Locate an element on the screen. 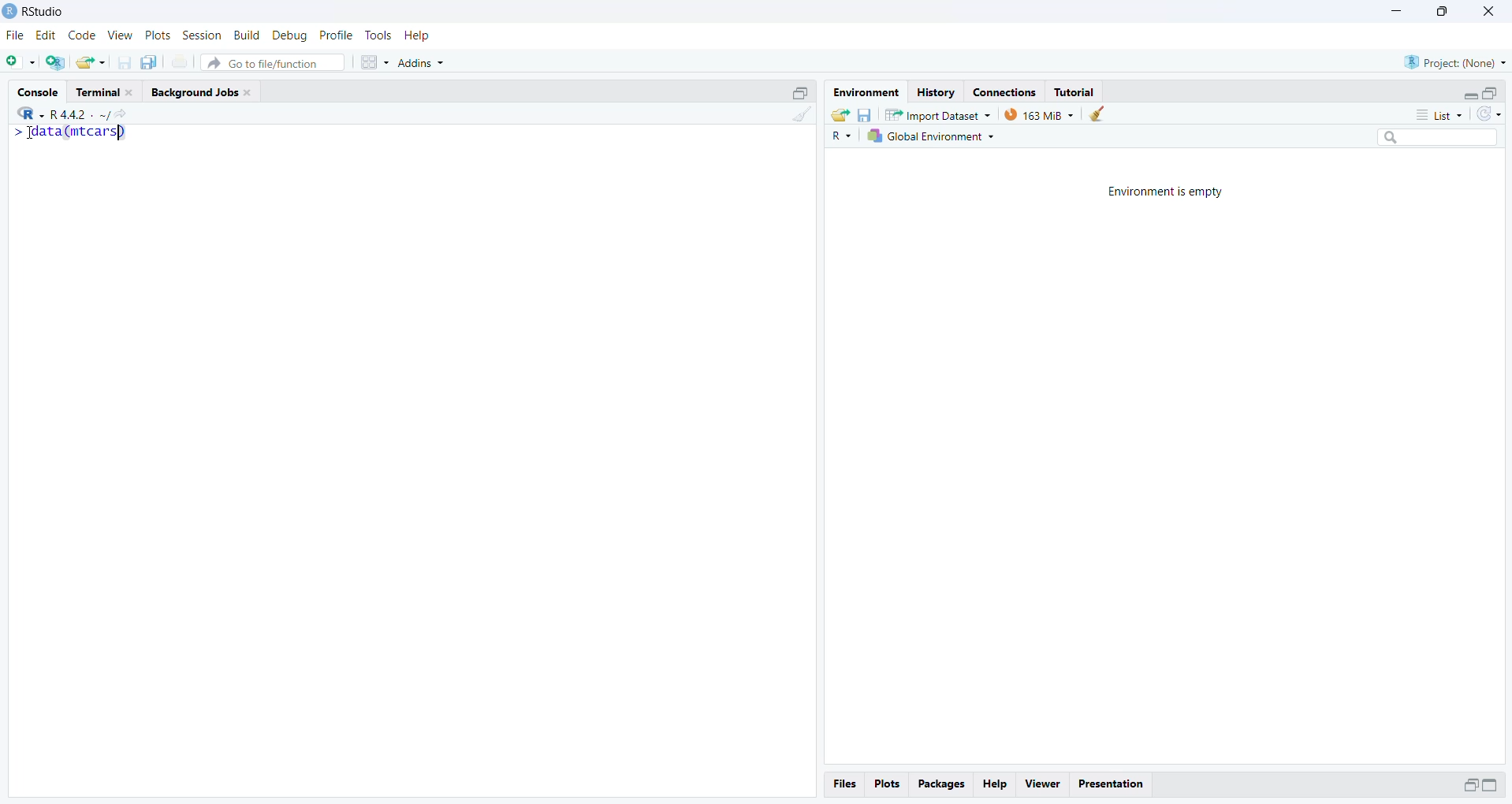 This screenshot has width=1512, height=804. R~ is located at coordinates (844, 136).